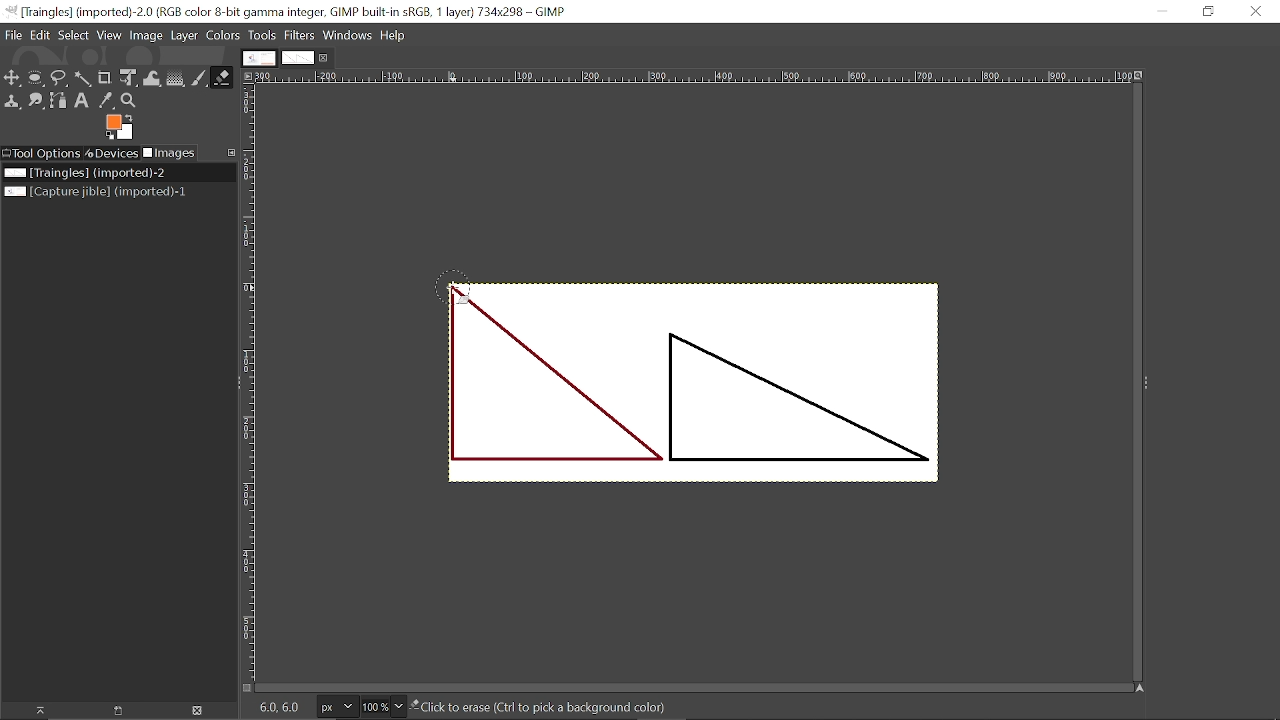  What do you see at coordinates (222, 77) in the screenshot?
I see `Eraser tool` at bounding box center [222, 77].